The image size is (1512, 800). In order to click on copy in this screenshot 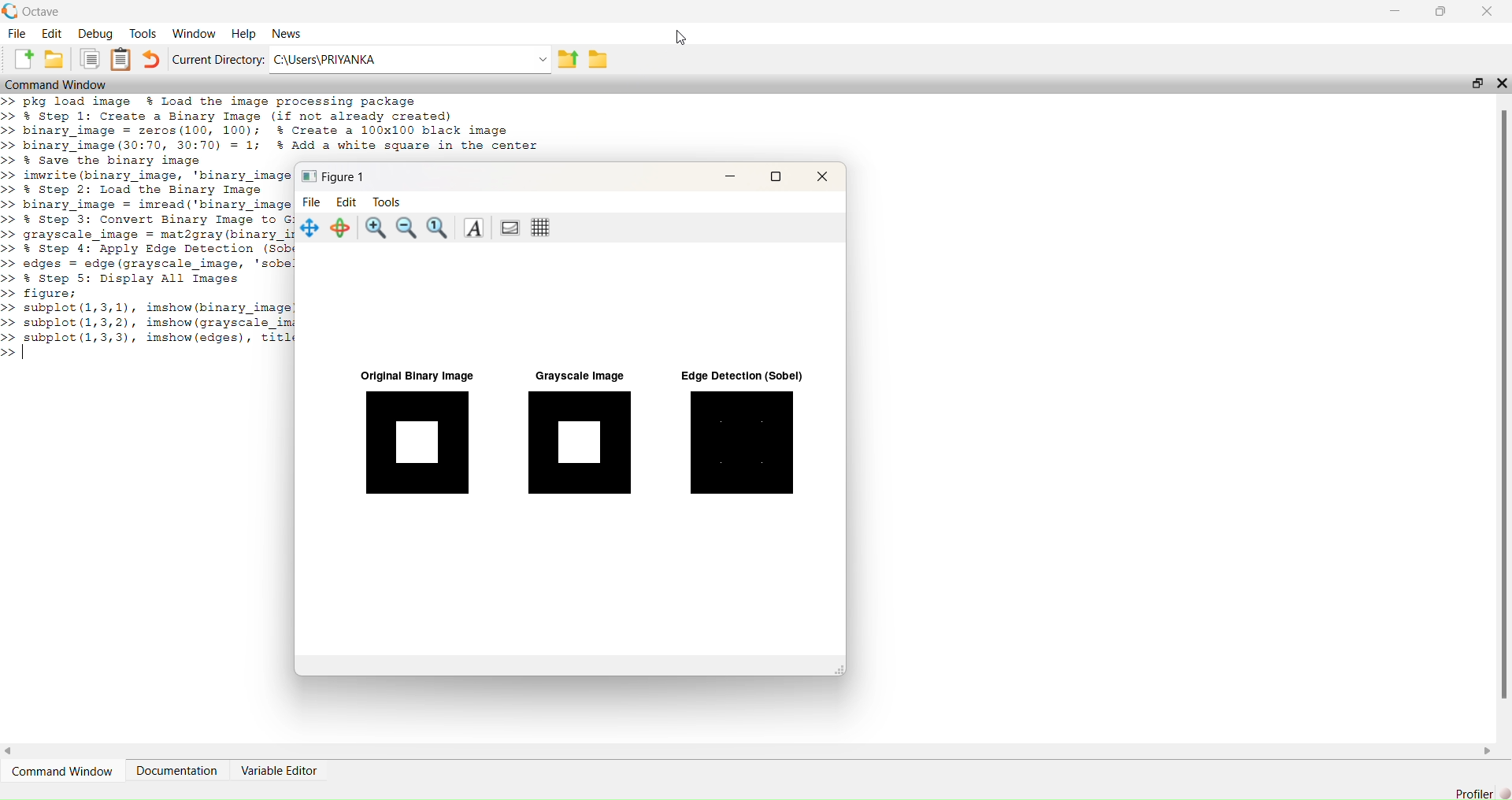, I will do `click(90, 59)`.